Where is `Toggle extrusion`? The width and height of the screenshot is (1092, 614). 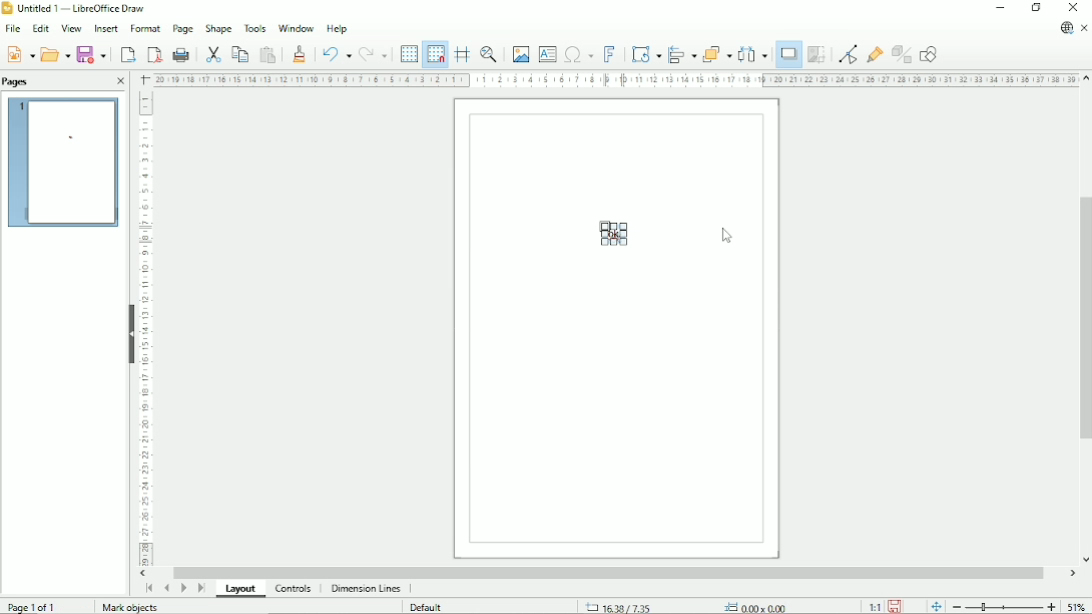
Toggle extrusion is located at coordinates (902, 54).